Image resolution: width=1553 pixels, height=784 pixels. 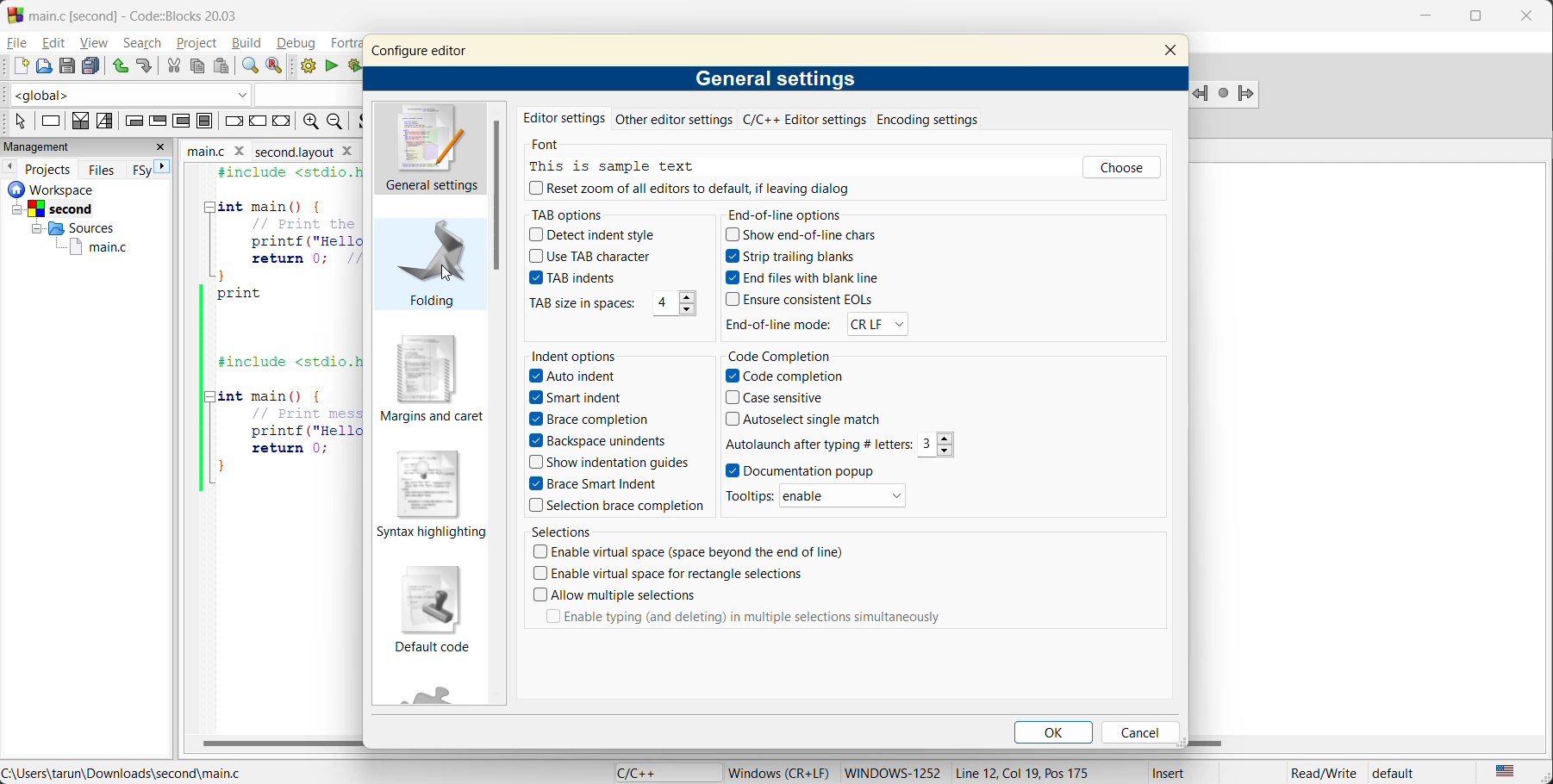 I want to click on folding, so click(x=427, y=265).